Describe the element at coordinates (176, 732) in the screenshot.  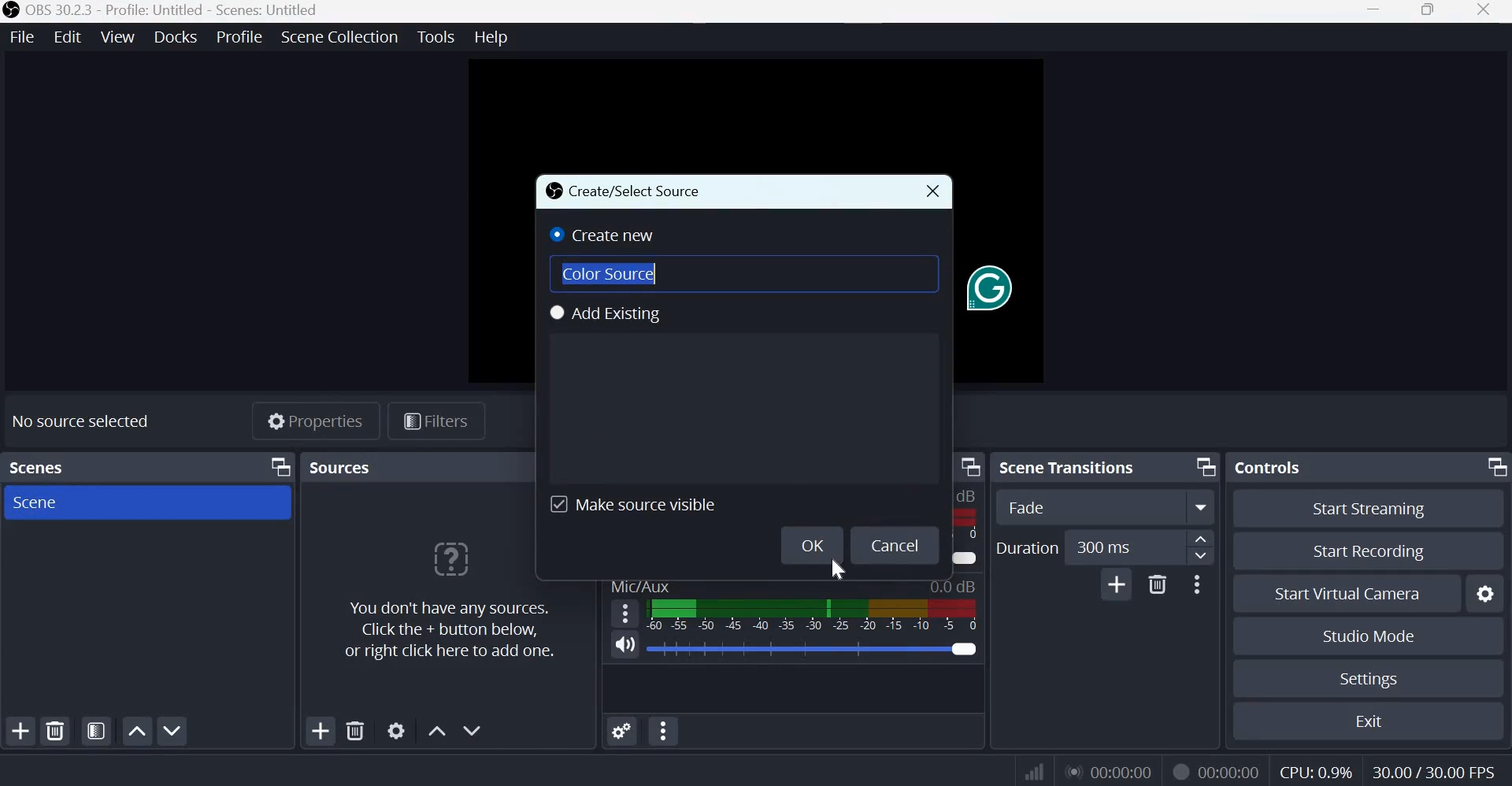
I see `Move scene down` at that location.